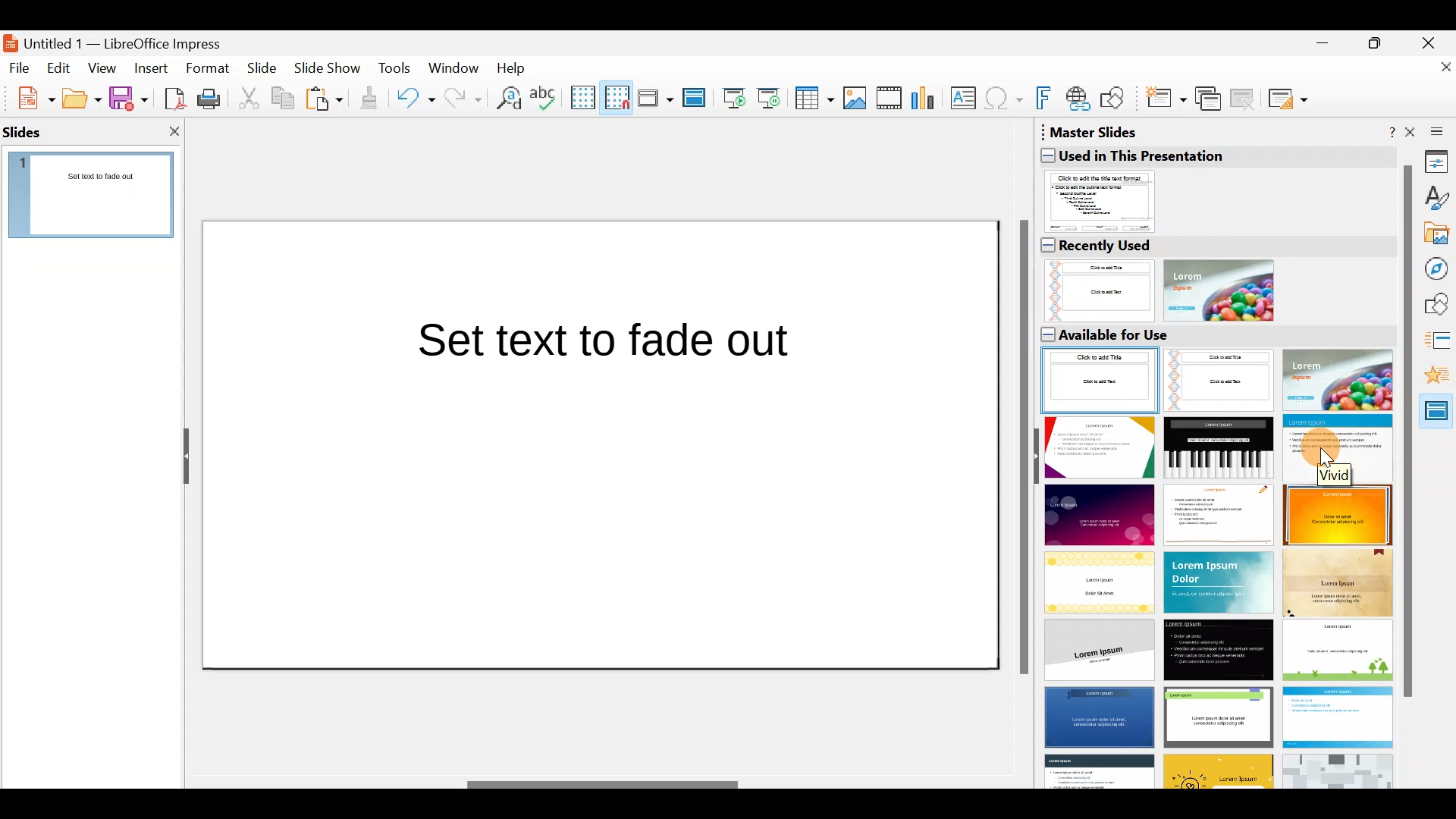  What do you see at coordinates (1407, 432) in the screenshot?
I see `scroll bar` at bounding box center [1407, 432].